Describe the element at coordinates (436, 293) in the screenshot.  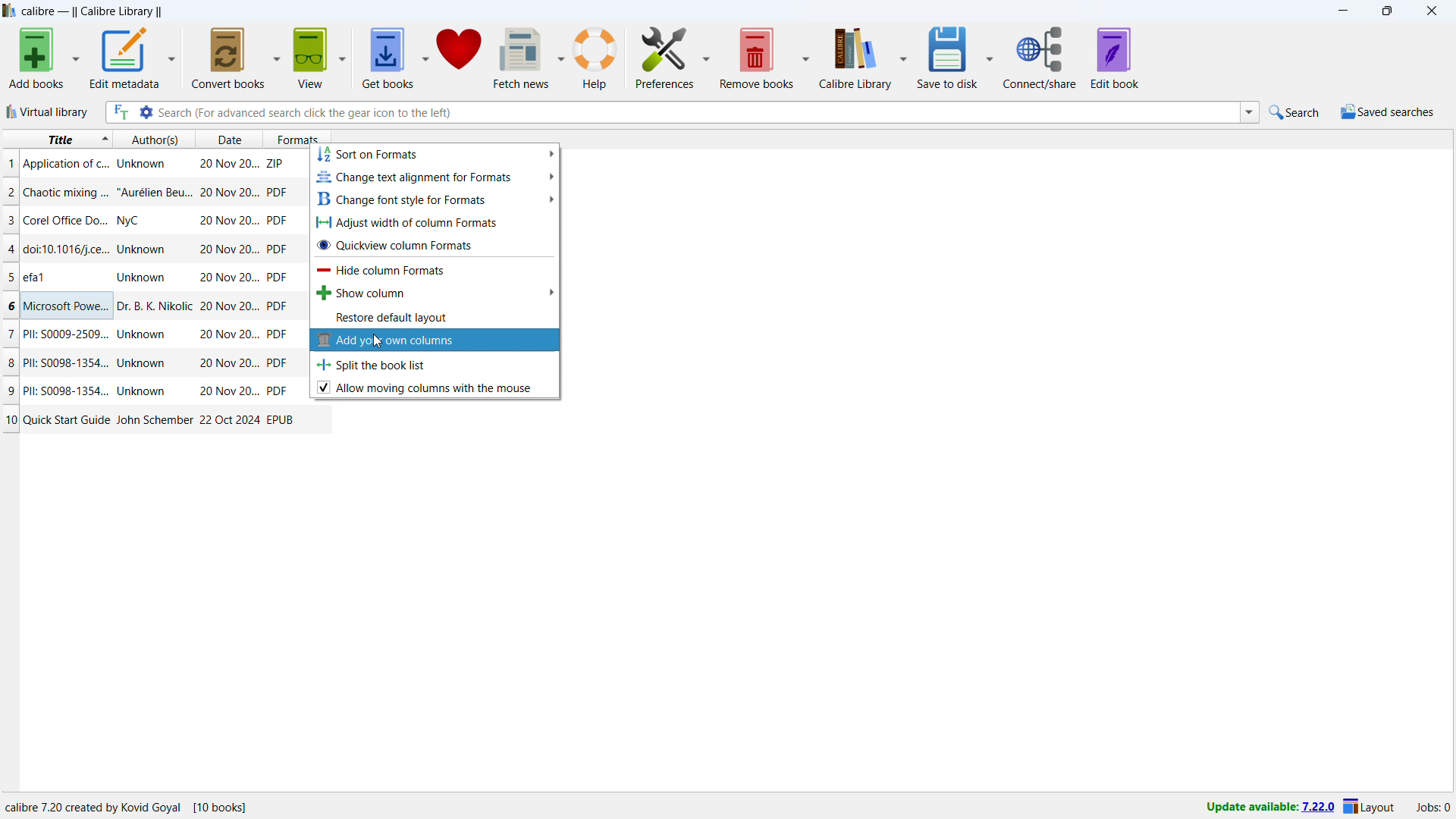
I see `show column` at that location.